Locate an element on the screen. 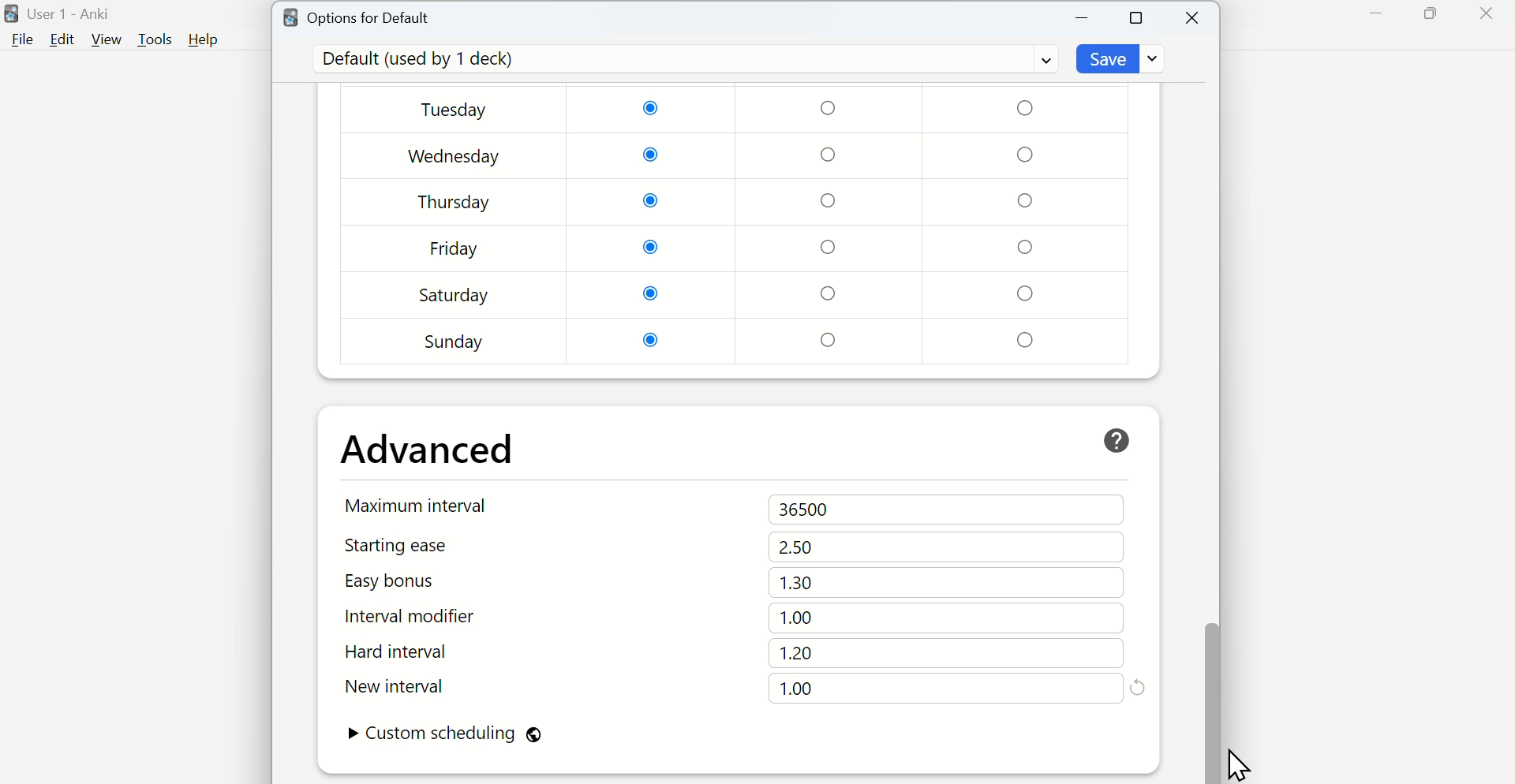  Tuesday is located at coordinates (457, 111).